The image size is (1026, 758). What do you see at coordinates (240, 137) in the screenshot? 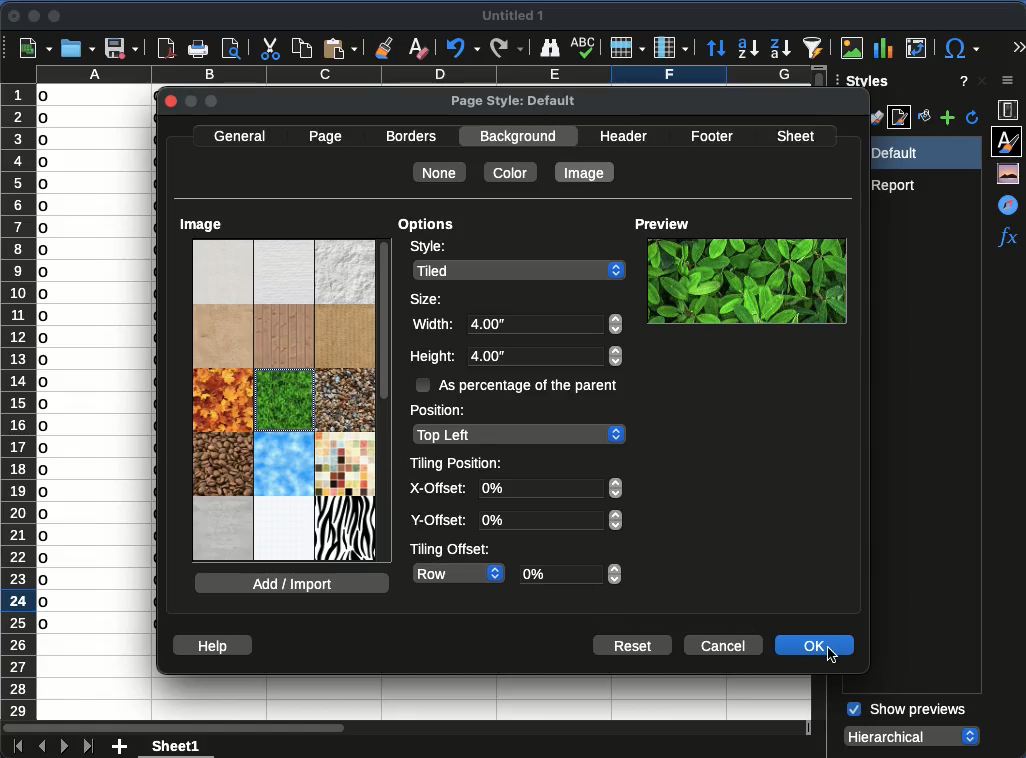
I see `general` at bounding box center [240, 137].